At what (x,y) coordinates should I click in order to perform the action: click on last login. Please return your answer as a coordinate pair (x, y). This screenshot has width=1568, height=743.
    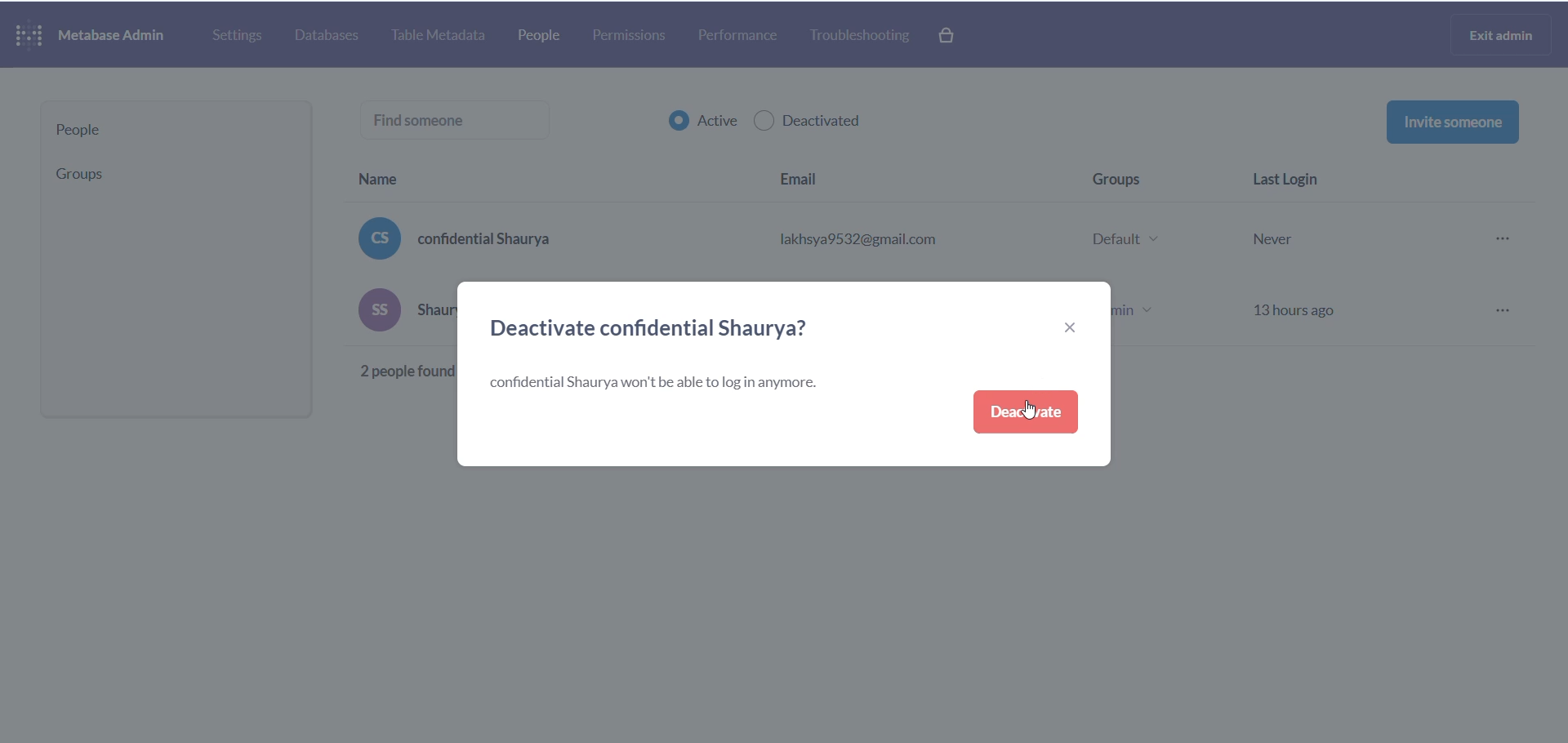
    Looking at the image, I should click on (1310, 181).